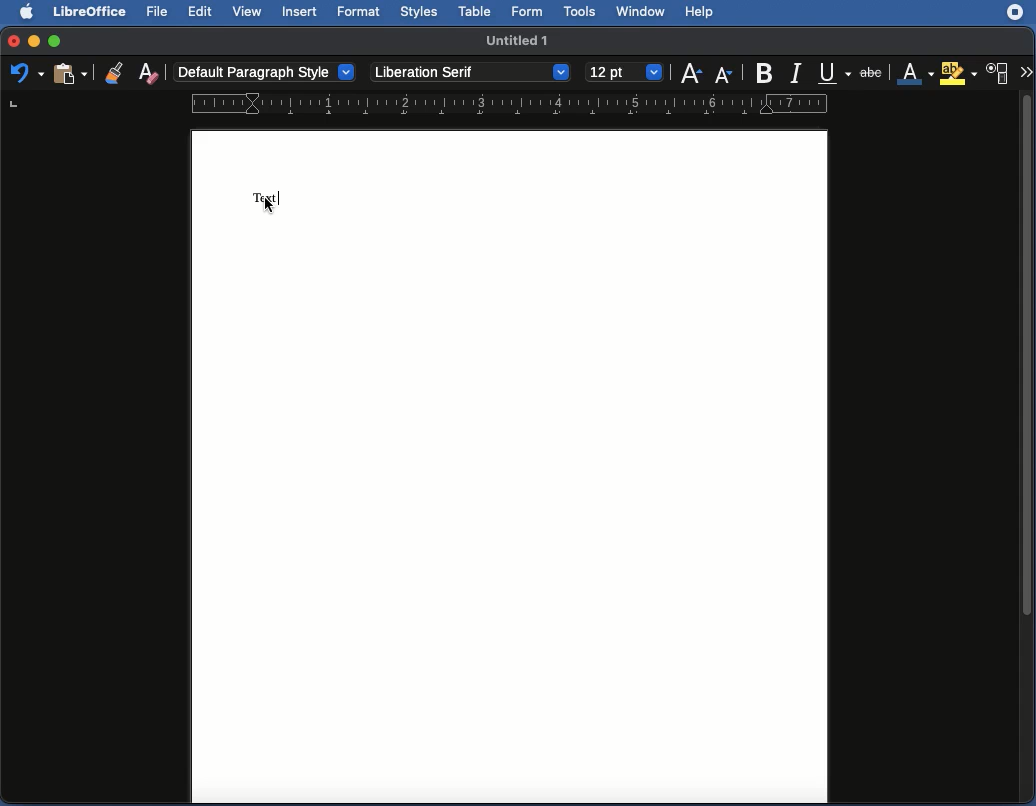 This screenshot has height=806, width=1036. Describe the element at coordinates (249, 12) in the screenshot. I see `View` at that location.